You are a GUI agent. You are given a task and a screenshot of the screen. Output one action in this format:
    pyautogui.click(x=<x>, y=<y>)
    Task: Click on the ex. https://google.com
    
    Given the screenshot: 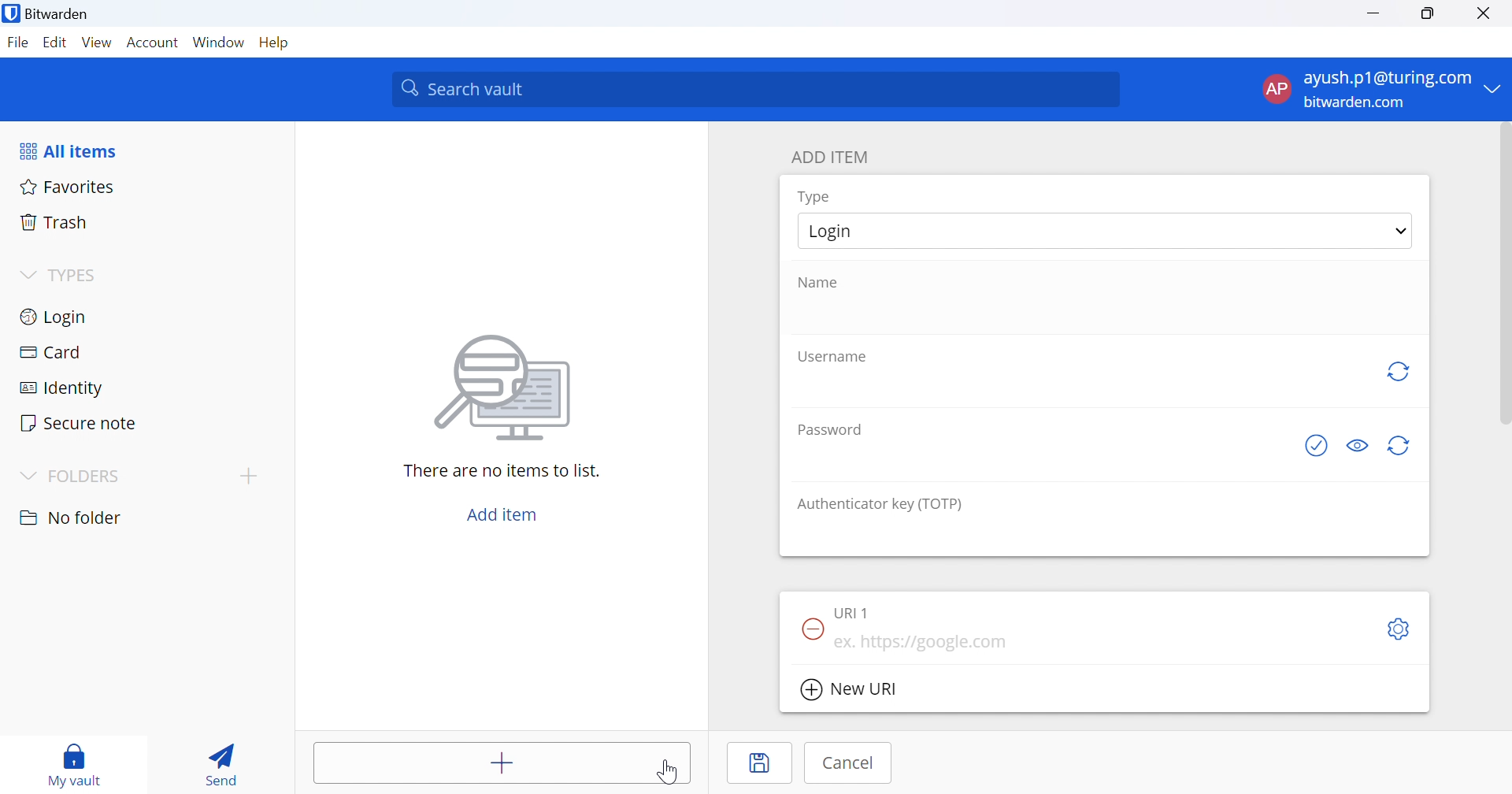 What is the action you would take?
    pyautogui.click(x=925, y=644)
    